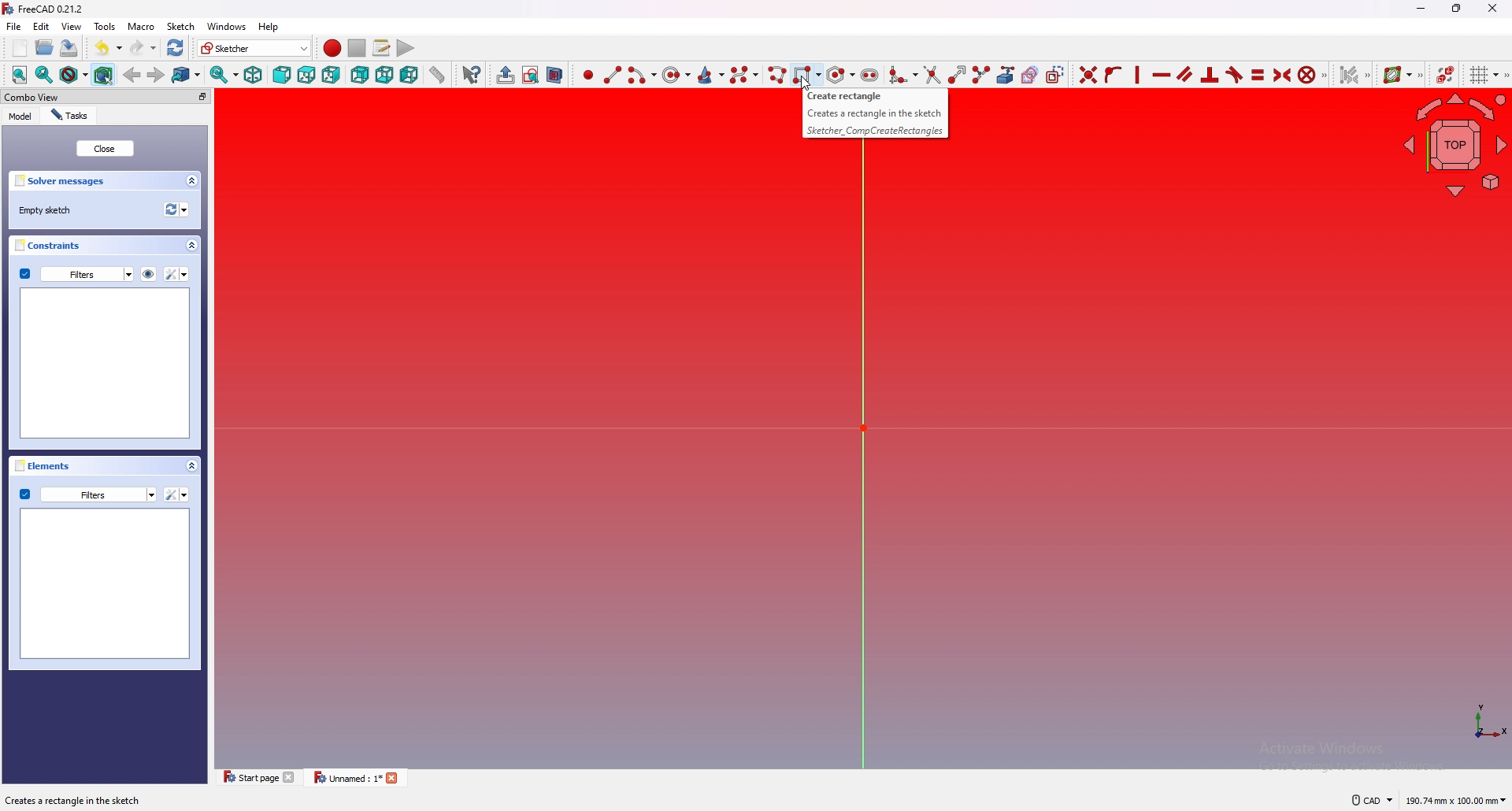  What do you see at coordinates (1446, 74) in the screenshot?
I see `switch virtual space` at bounding box center [1446, 74].